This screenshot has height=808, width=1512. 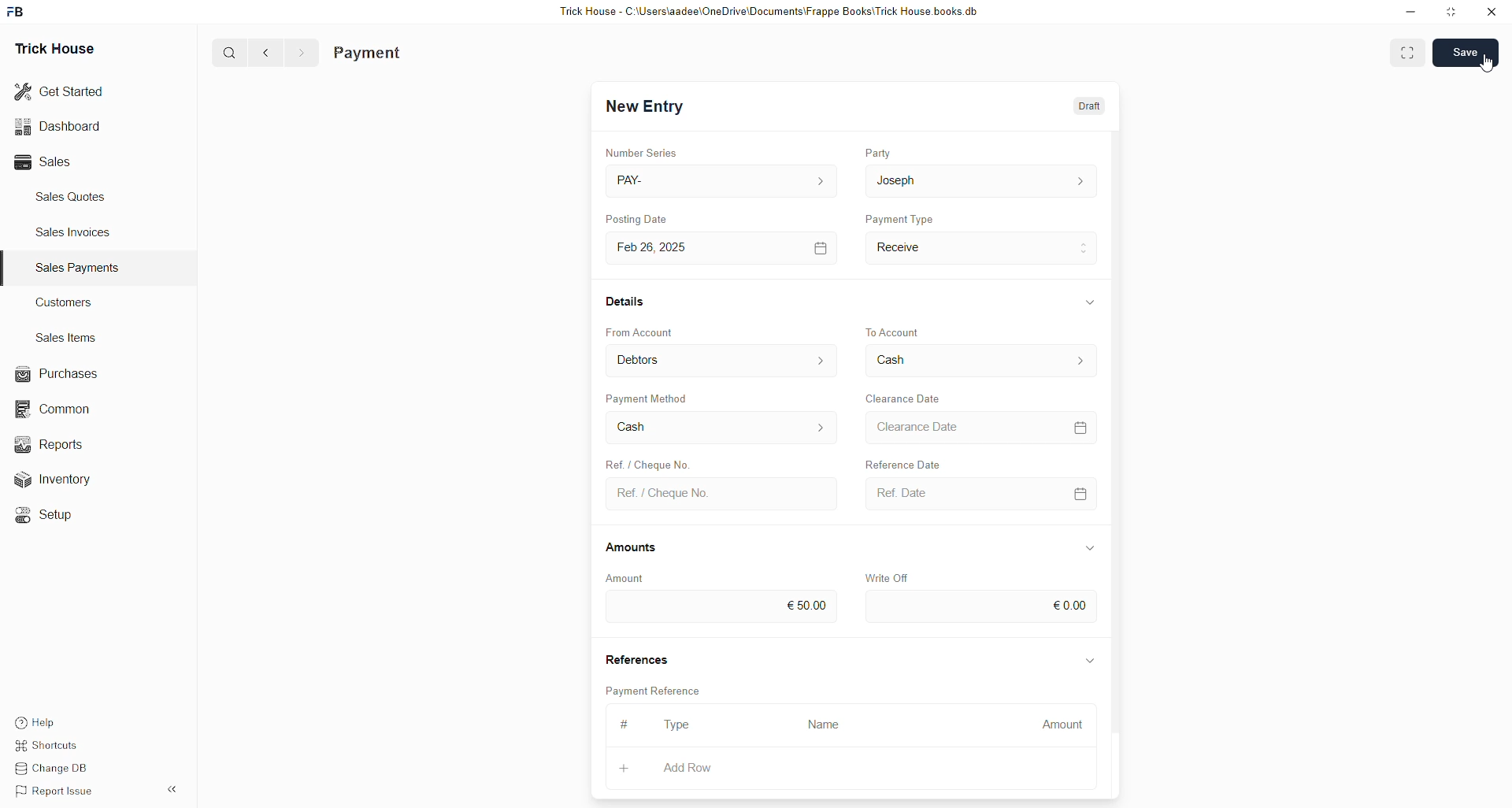 I want to click on Clearance Date, so click(x=981, y=427).